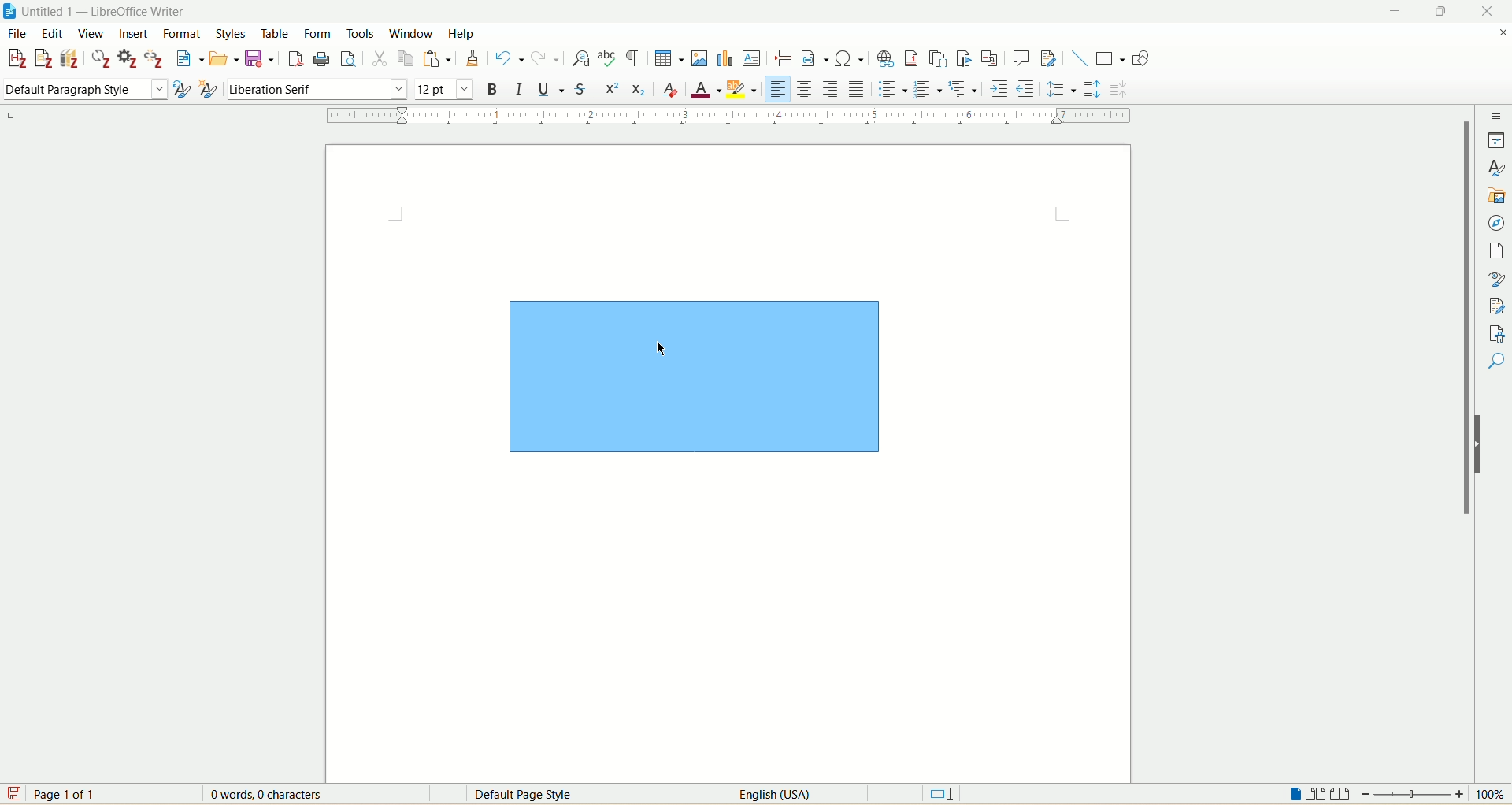 The image size is (1512, 805). What do you see at coordinates (1487, 10) in the screenshot?
I see `close` at bounding box center [1487, 10].